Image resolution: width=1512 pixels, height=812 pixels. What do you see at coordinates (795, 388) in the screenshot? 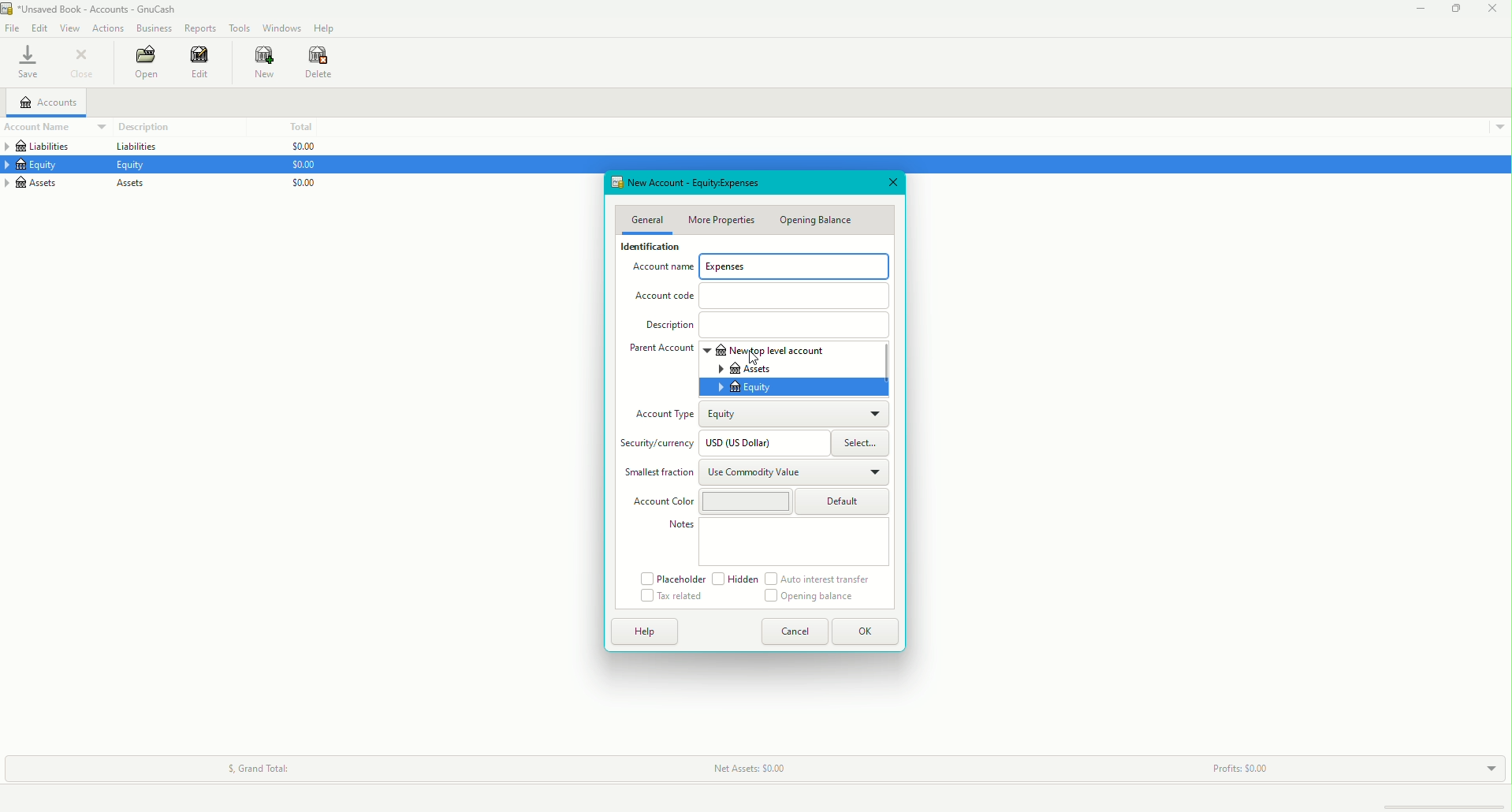
I see `Equity` at bounding box center [795, 388].